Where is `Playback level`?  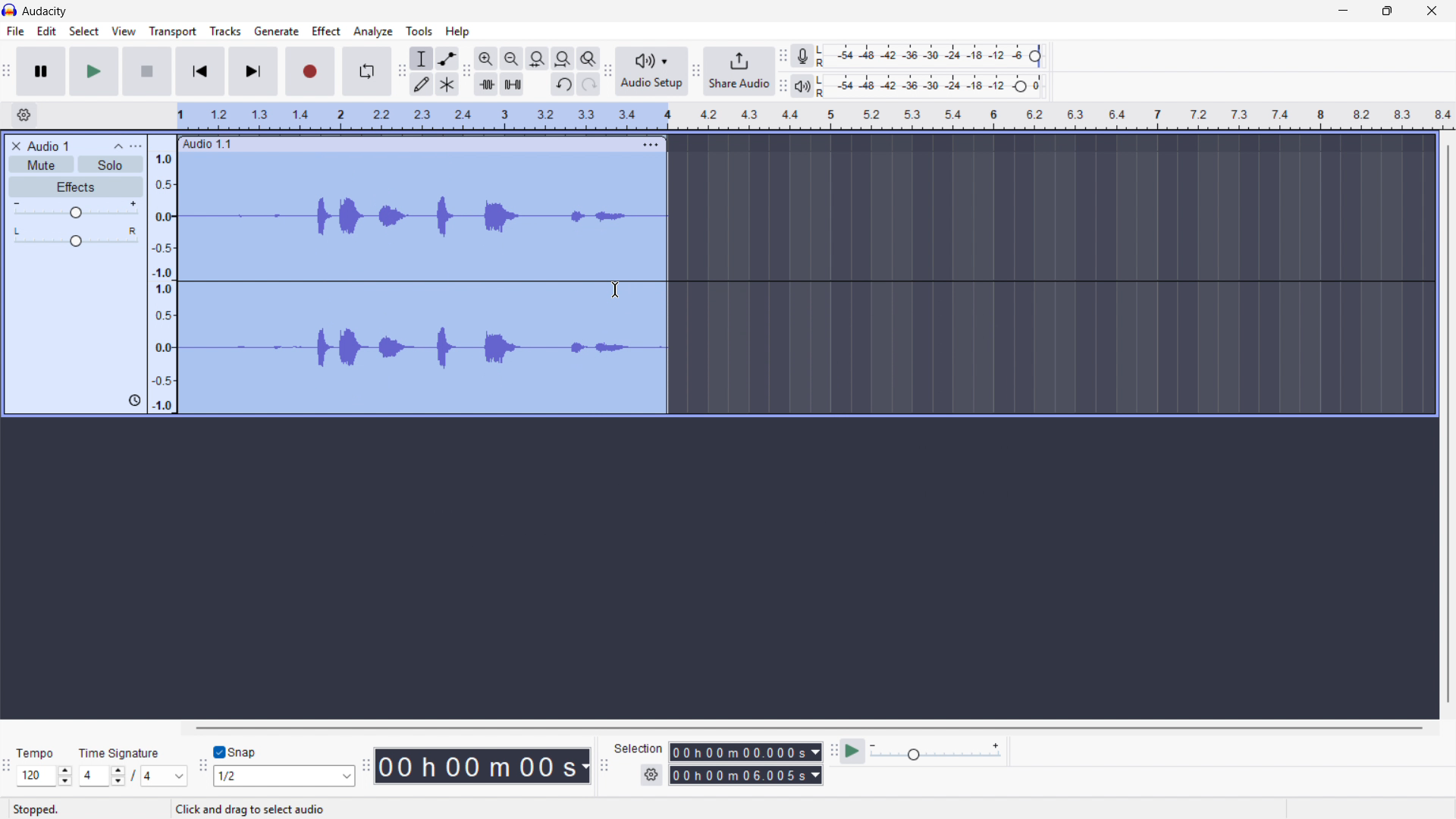
Playback level is located at coordinates (934, 86).